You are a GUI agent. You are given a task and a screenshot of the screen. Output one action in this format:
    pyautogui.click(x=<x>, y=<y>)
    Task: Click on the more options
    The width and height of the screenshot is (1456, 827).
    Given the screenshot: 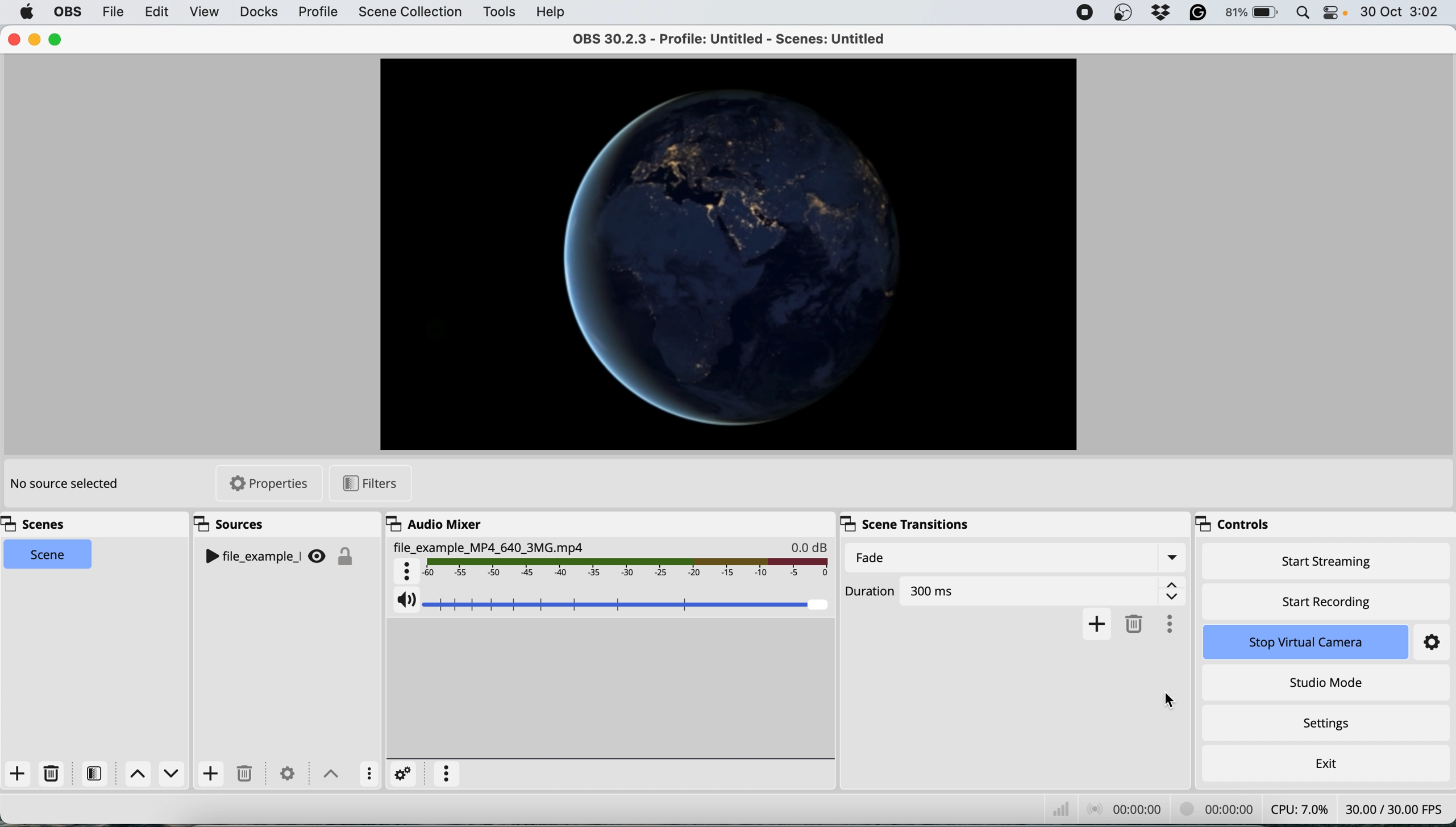 What is the action you would take?
    pyautogui.click(x=370, y=774)
    